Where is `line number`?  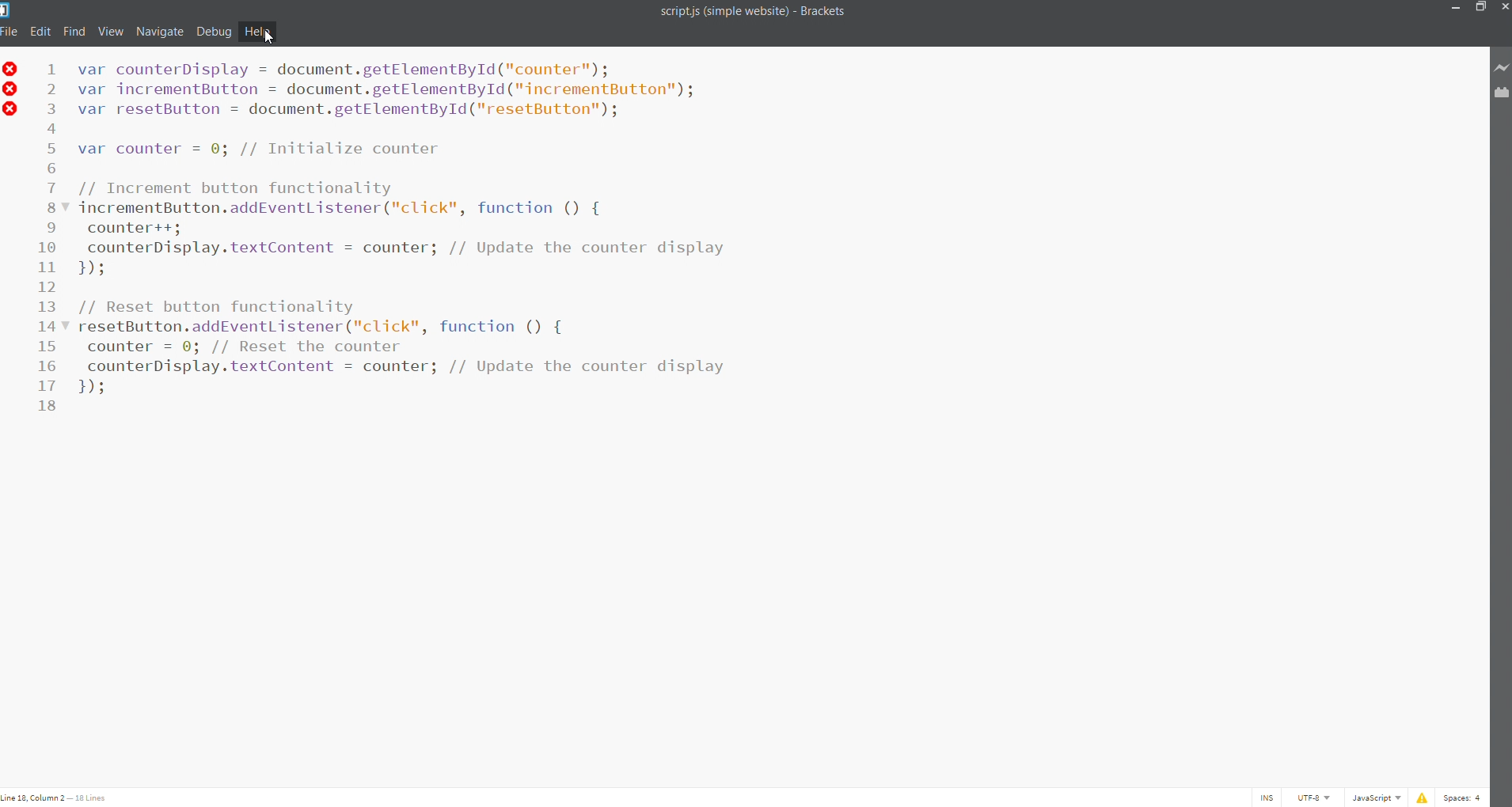 line number is located at coordinates (55, 249).